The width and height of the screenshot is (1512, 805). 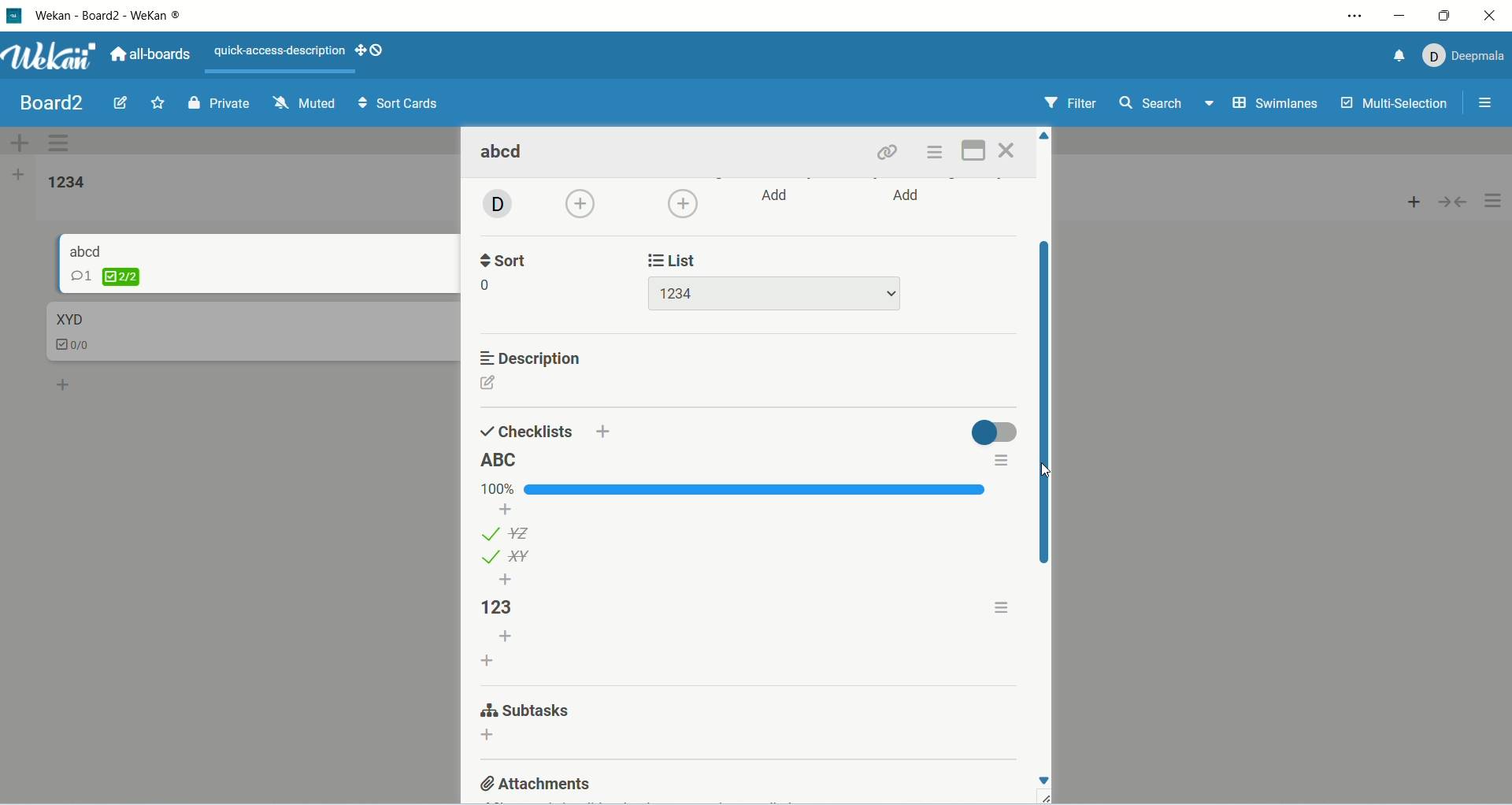 What do you see at coordinates (506, 636) in the screenshot?
I see `add` at bounding box center [506, 636].